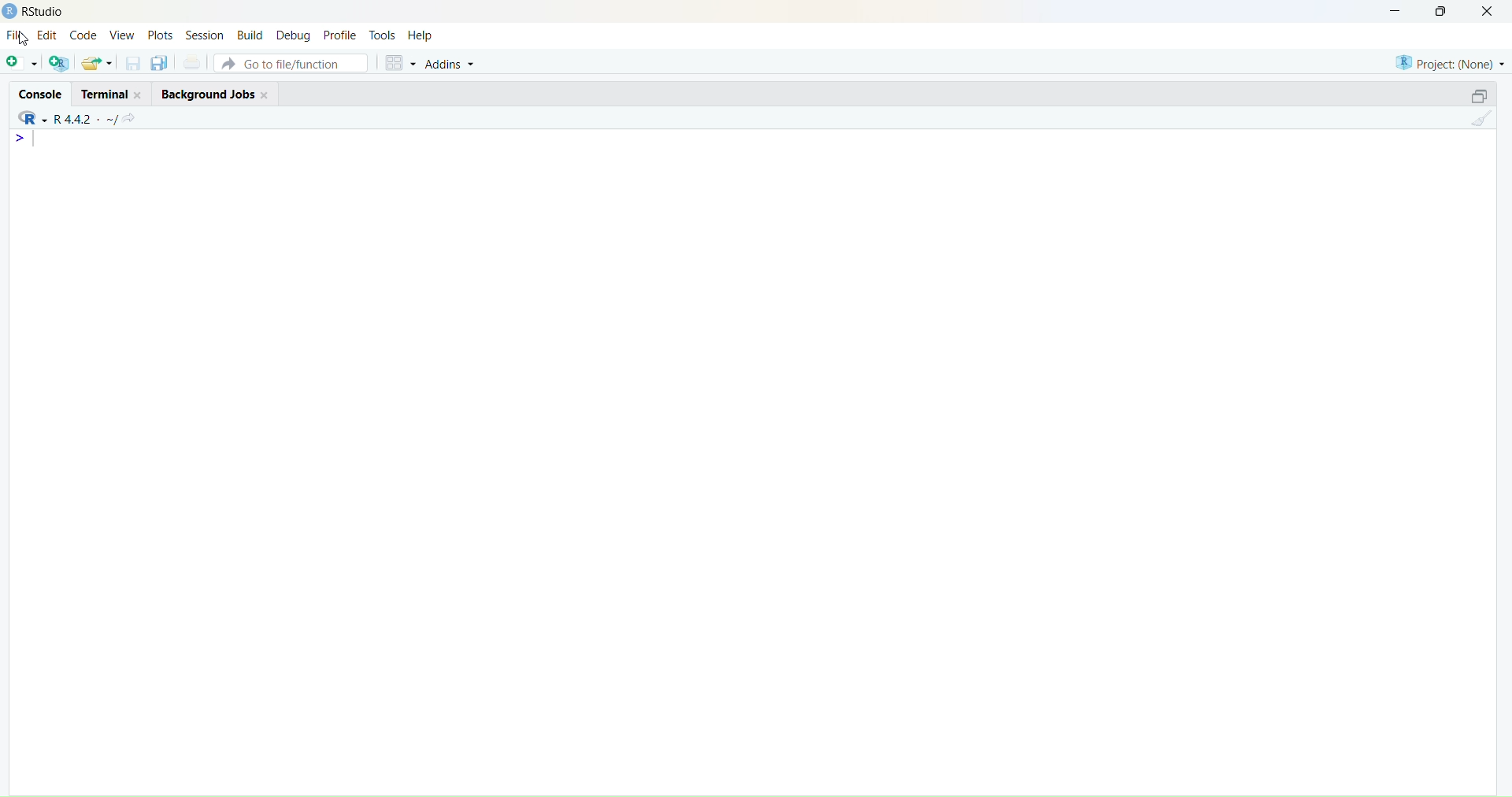 The image size is (1512, 797). Describe the element at coordinates (84, 36) in the screenshot. I see `Code` at that location.